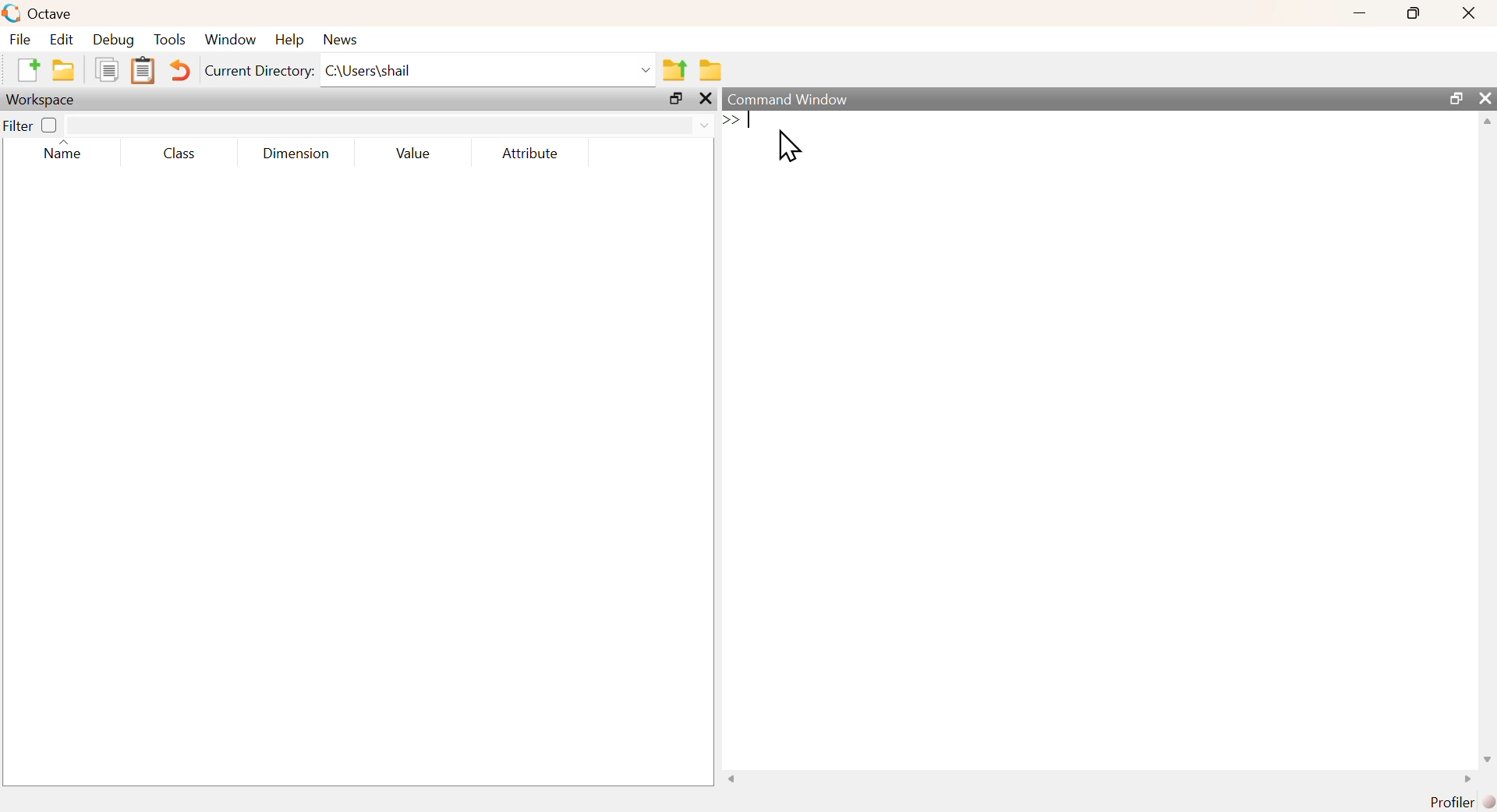 The width and height of the screenshot is (1497, 812). What do you see at coordinates (31, 69) in the screenshot?
I see `New Script` at bounding box center [31, 69].